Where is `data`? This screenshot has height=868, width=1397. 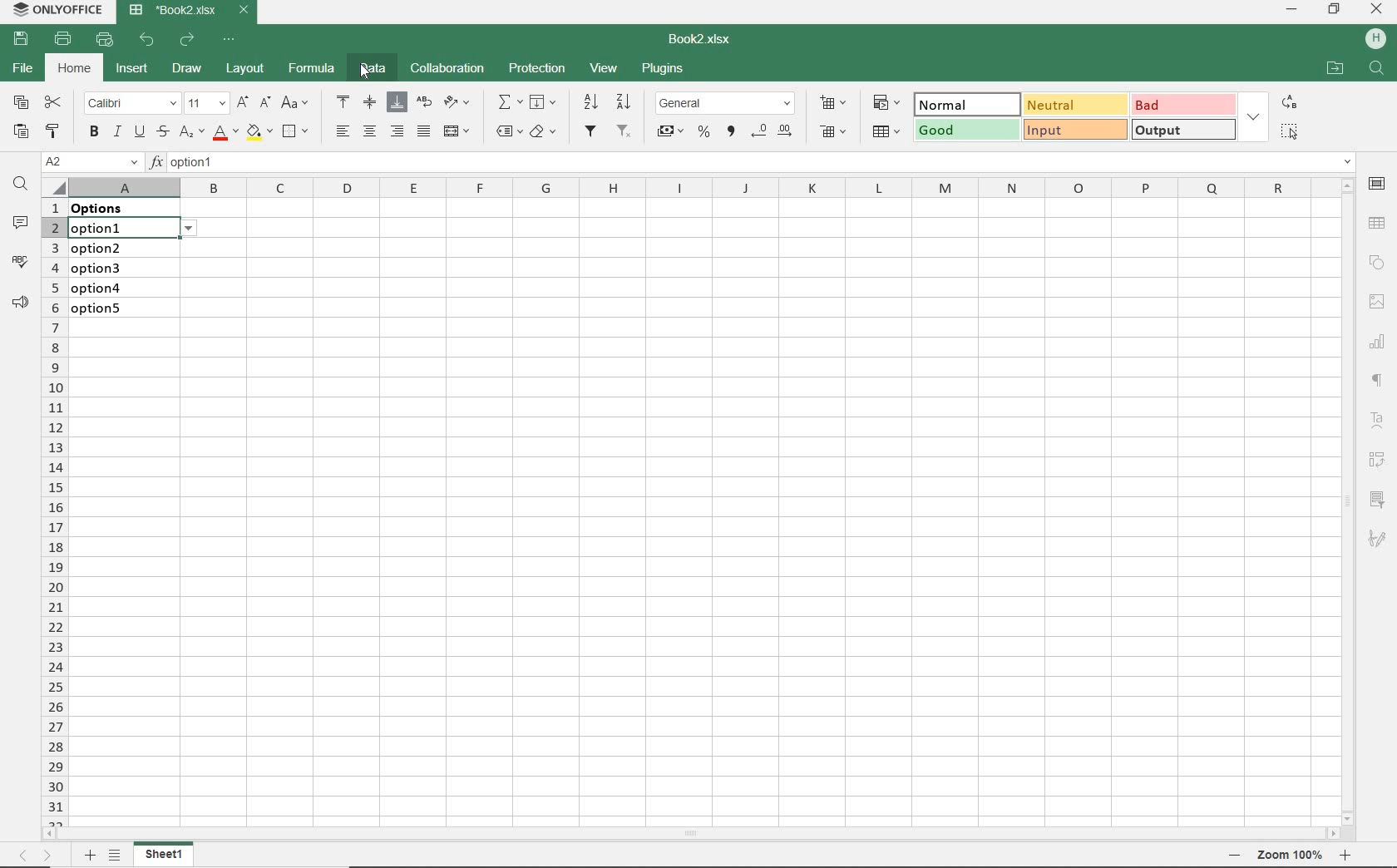
data is located at coordinates (101, 209).